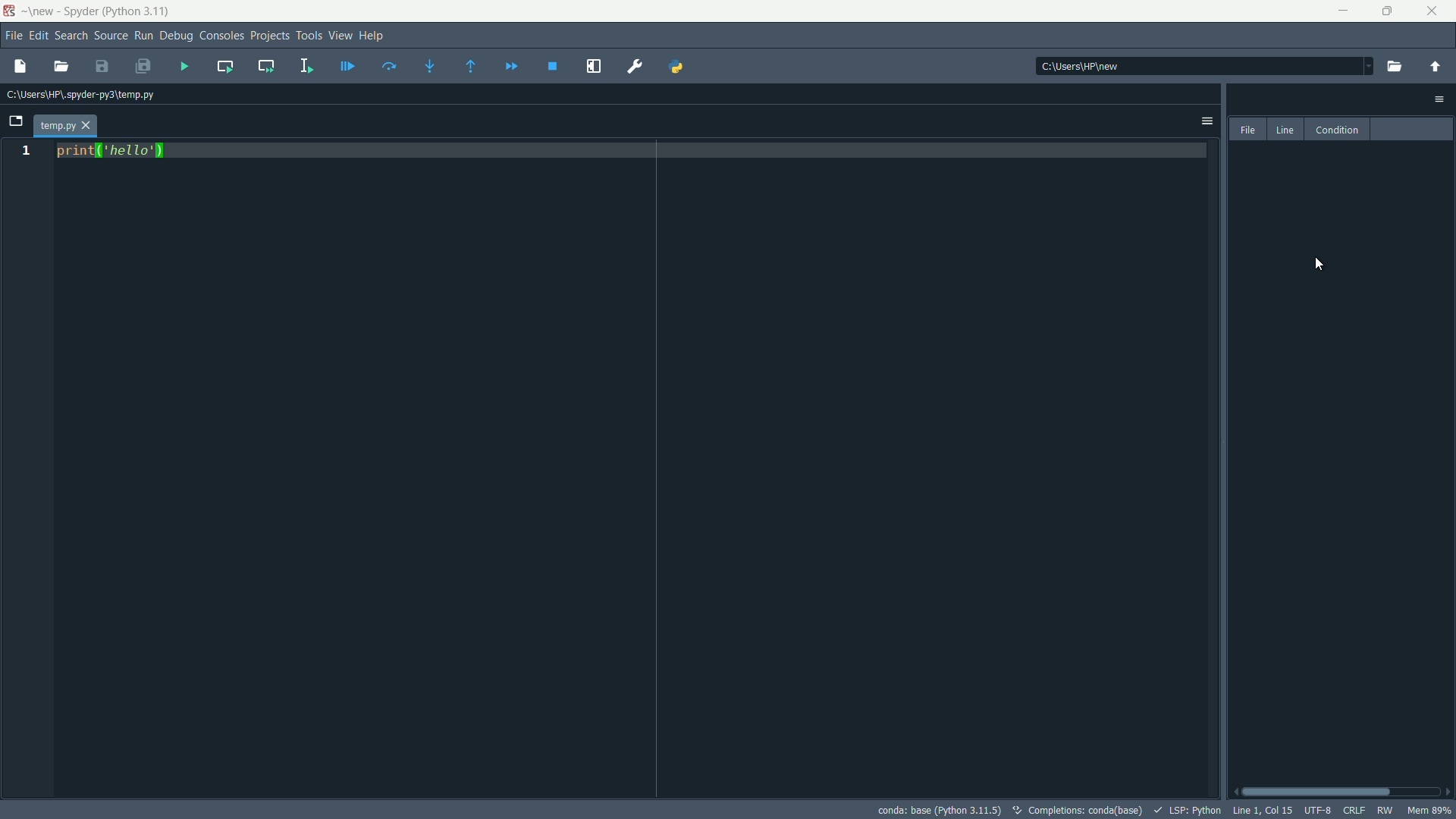 The width and height of the screenshot is (1456, 819). What do you see at coordinates (1076, 810) in the screenshot?
I see `completions: conda(base)` at bounding box center [1076, 810].